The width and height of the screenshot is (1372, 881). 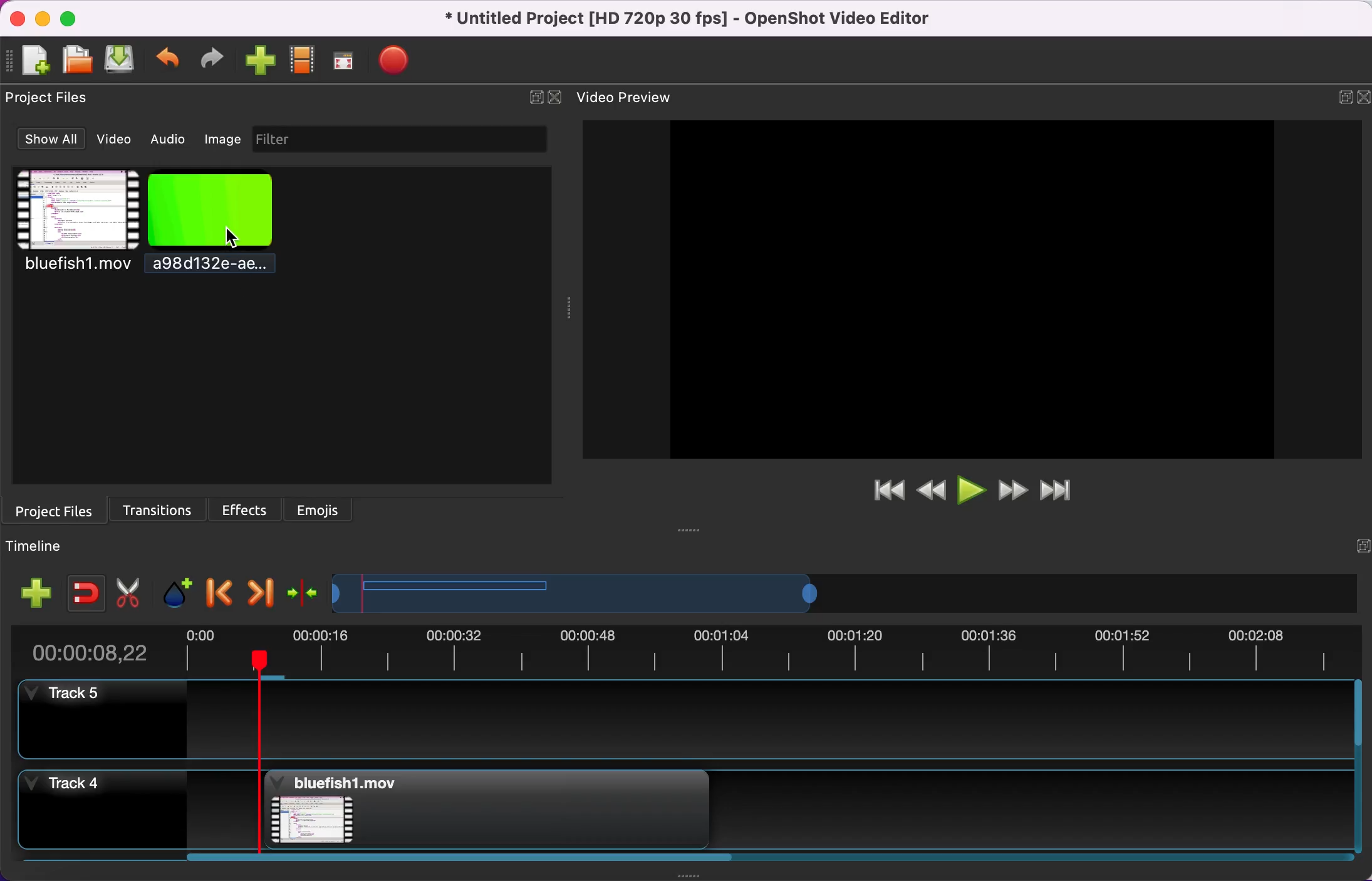 What do you see at coordinates (160, 508) in the screenshot?
I see `transitions` at bounding box center [160, 508].